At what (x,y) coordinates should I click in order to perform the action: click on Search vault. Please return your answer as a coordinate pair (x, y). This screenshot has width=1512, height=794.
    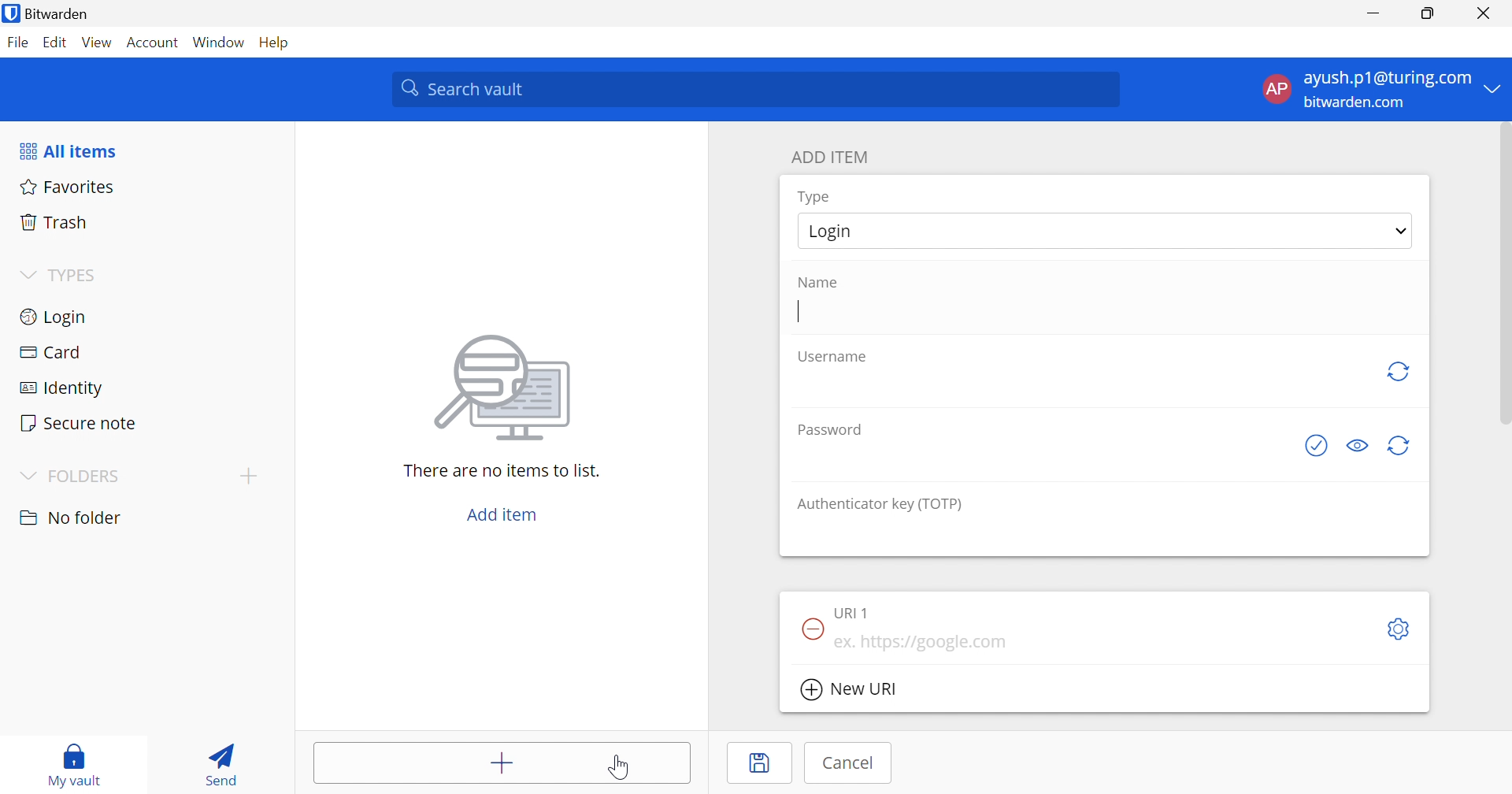
    Looking at the image, I should click on (754, 89).